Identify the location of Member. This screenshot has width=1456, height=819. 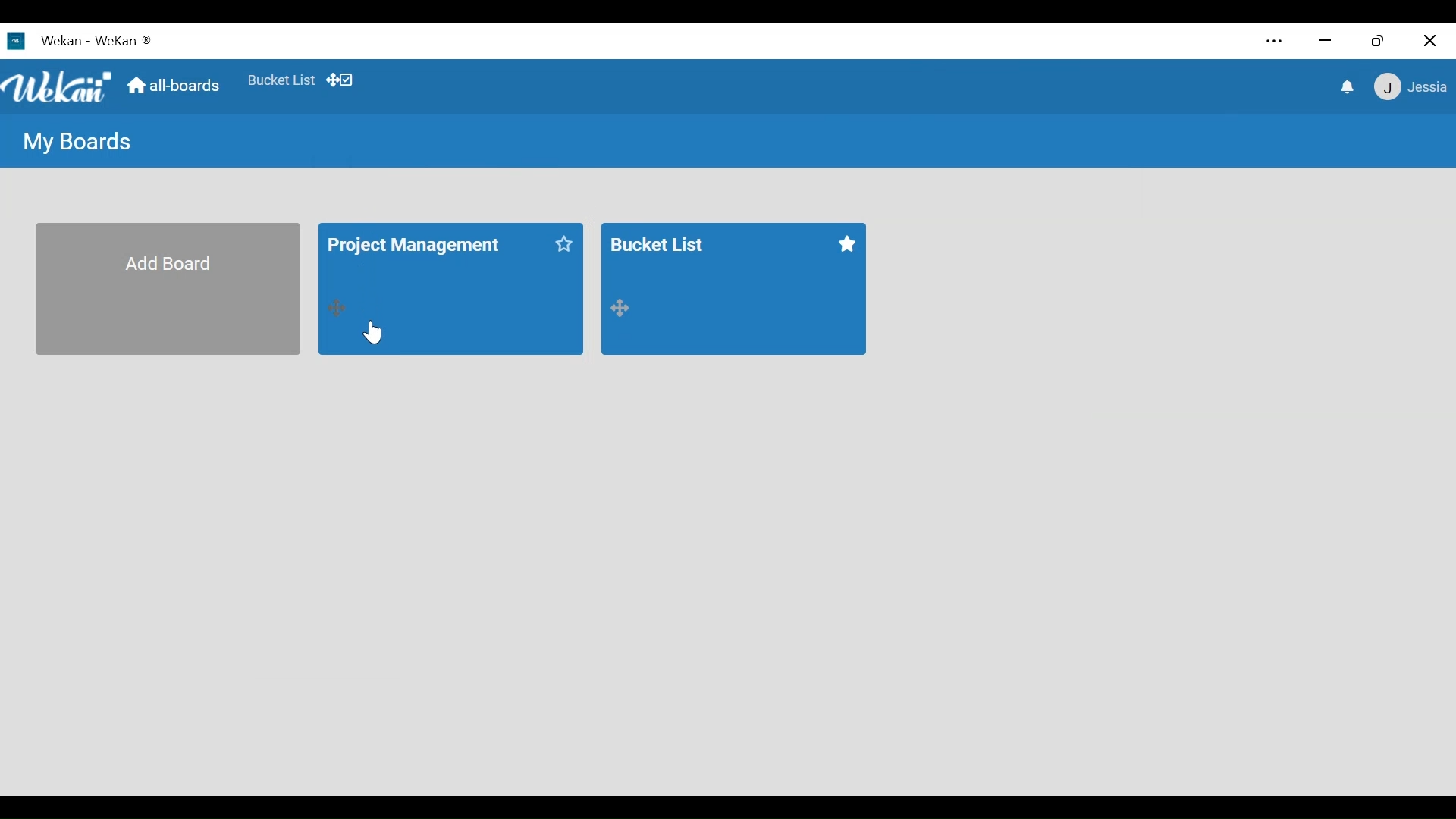
(1410, 89).